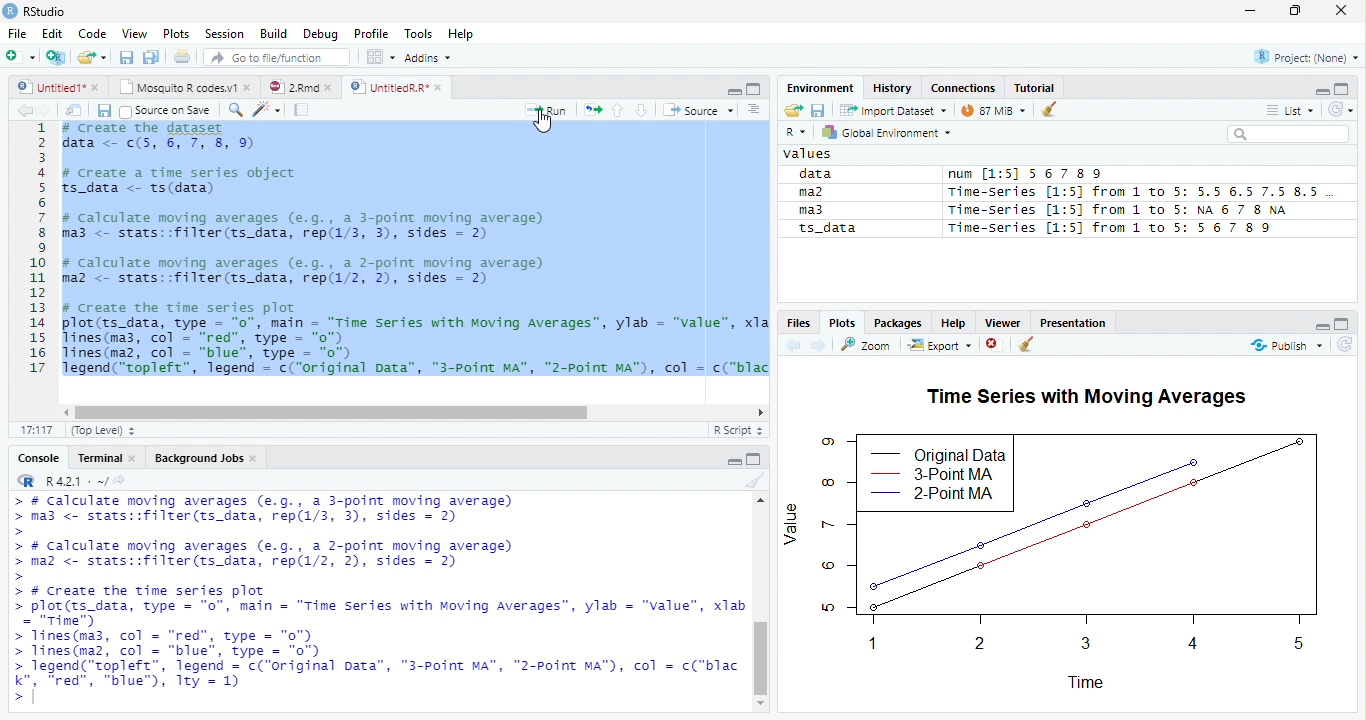  Describe the element at coordinates (460, 34) in the screenshot. I see `Hep` at that location.